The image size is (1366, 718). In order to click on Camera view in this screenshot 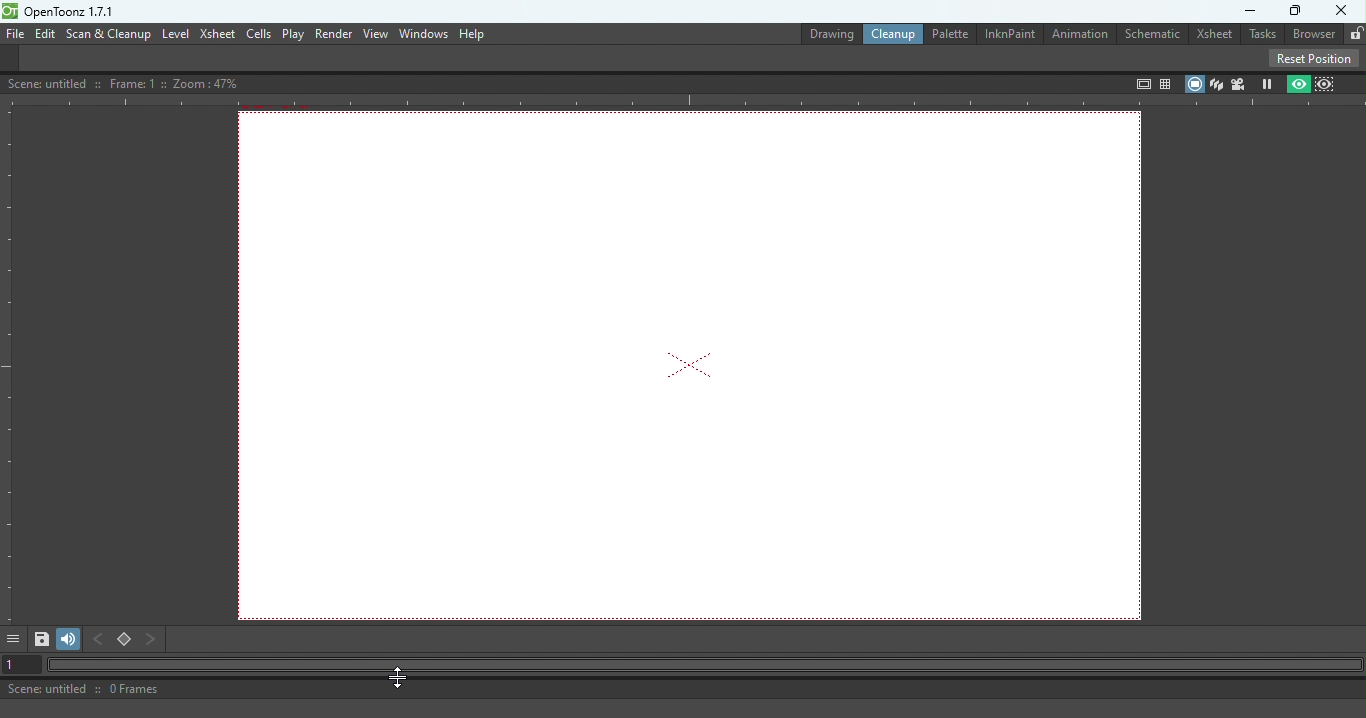, I will do `click(1239, 84)`.